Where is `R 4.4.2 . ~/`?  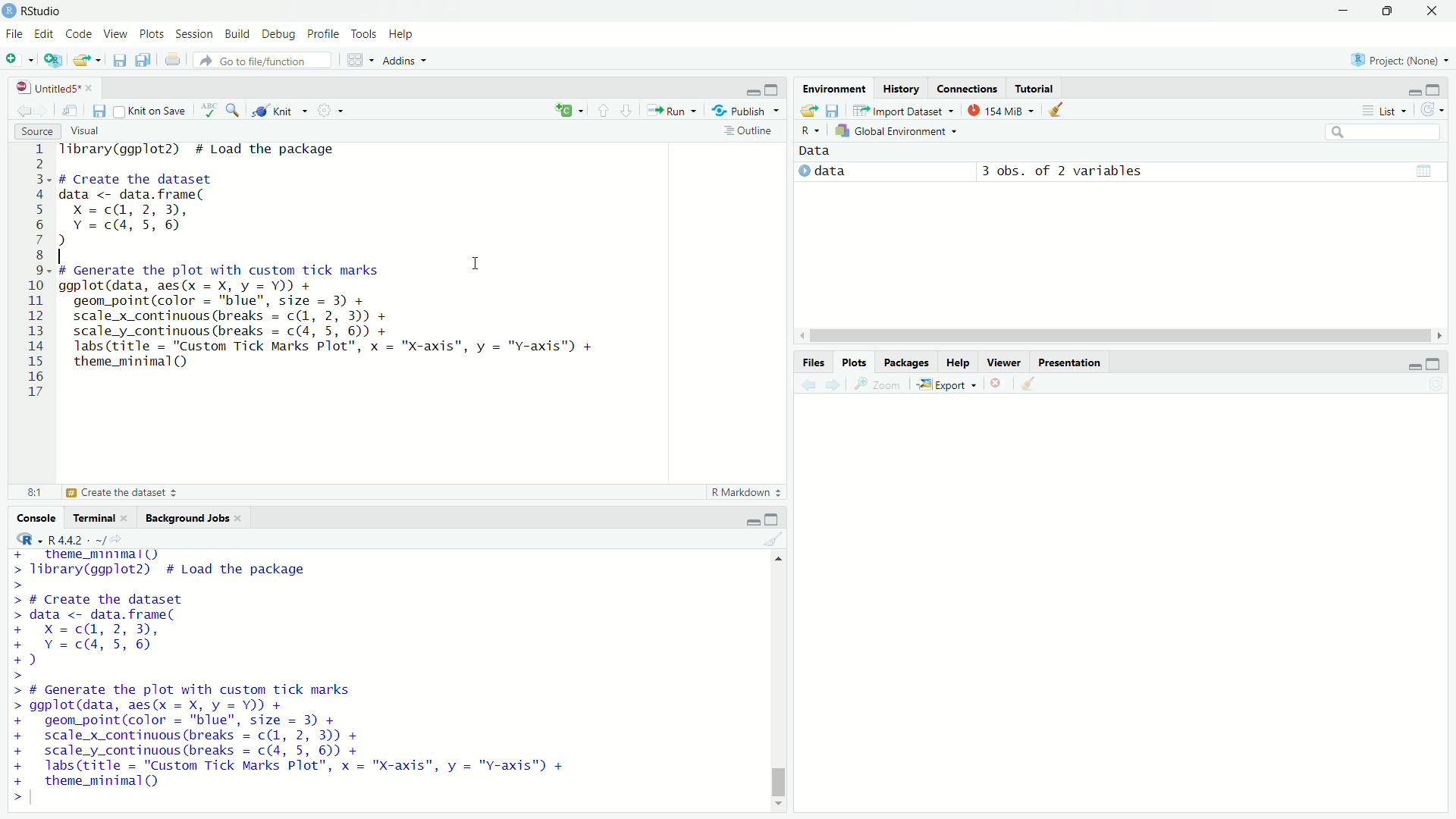 R 4.4.2 . ~/ is located at coordinates (79, 539).